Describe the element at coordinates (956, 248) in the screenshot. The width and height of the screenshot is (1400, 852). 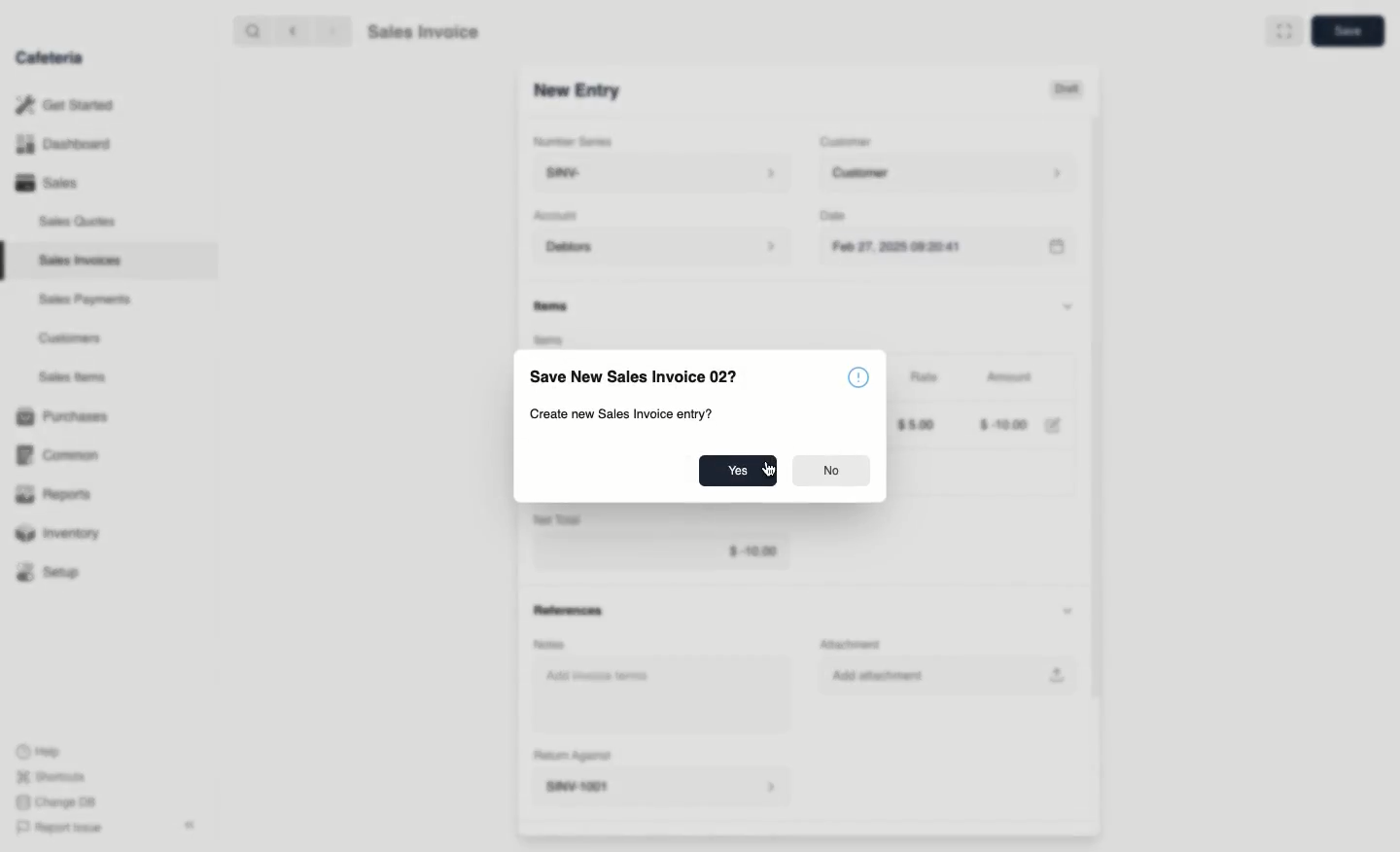
I see `Feb 27, 2025 09:19:04` at that location.